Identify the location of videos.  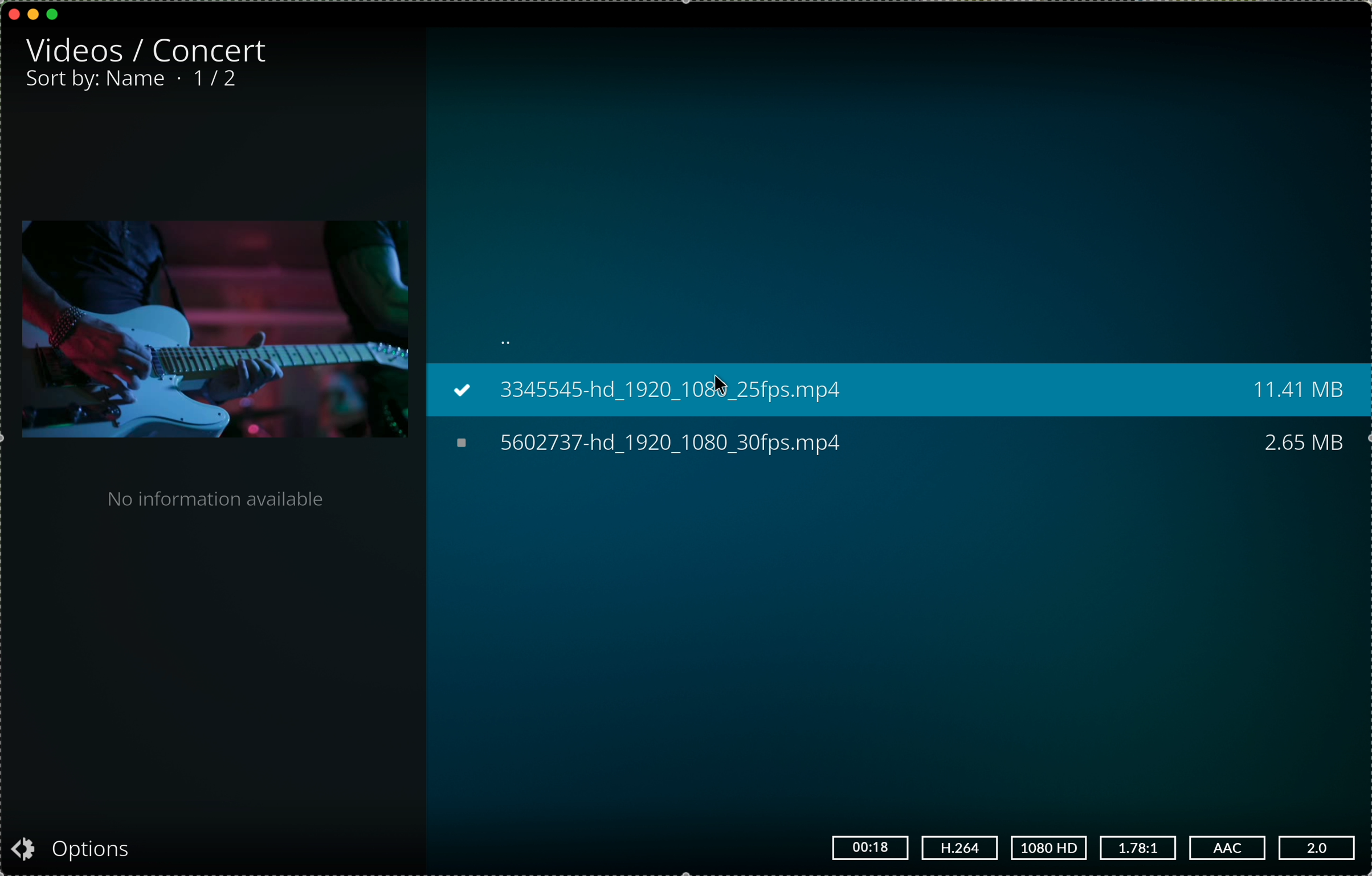
(72, 50).